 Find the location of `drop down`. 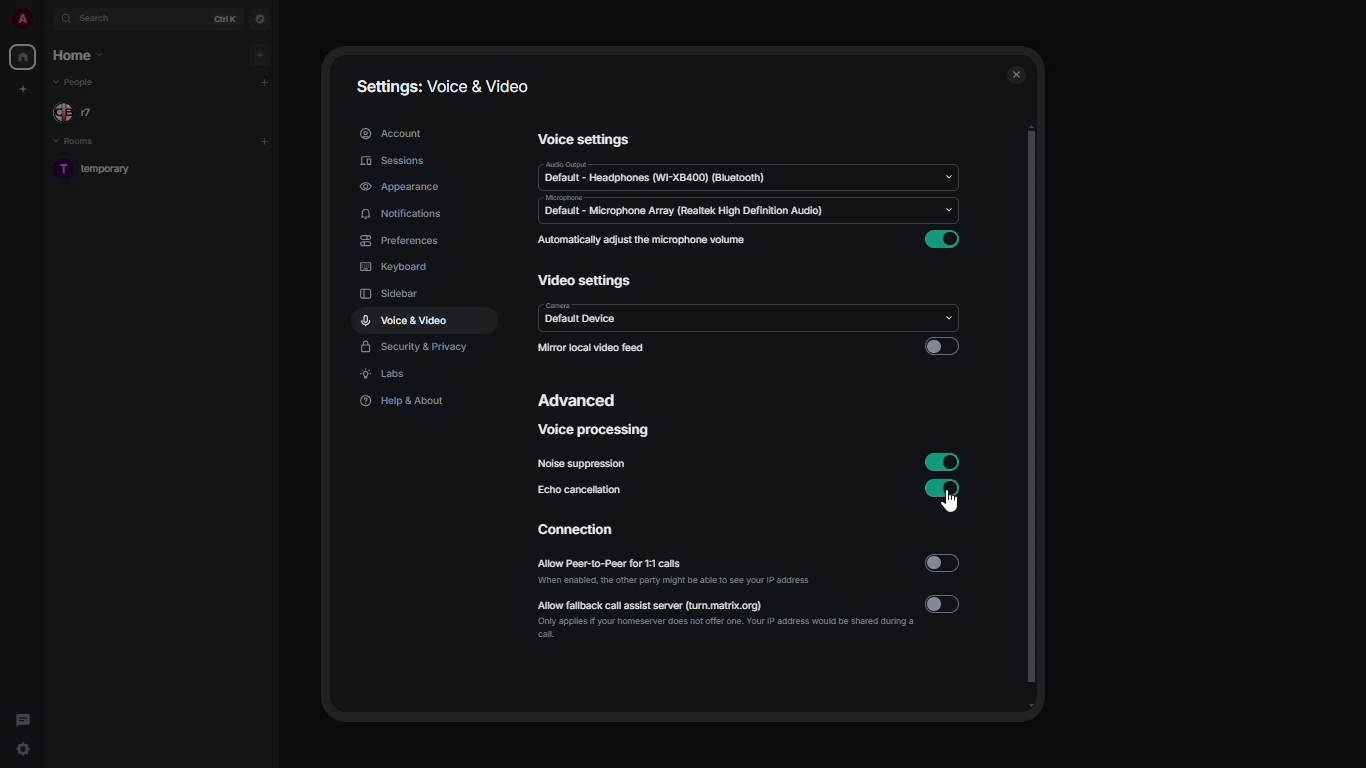

drop down is located at coordinates (949, 176).